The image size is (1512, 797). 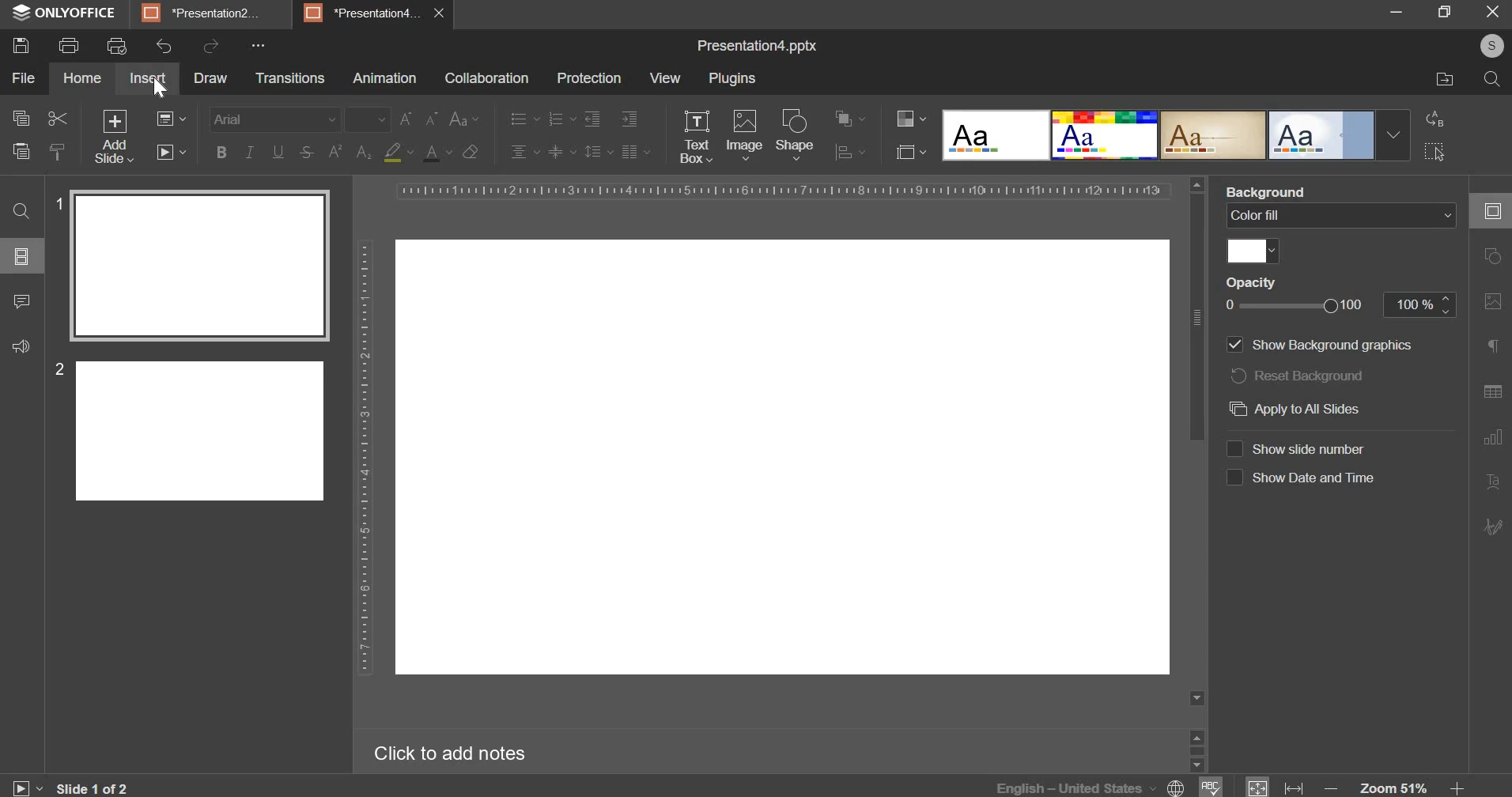 I want to click on ‘Show Background graphics, so click(x=1331, y=346).